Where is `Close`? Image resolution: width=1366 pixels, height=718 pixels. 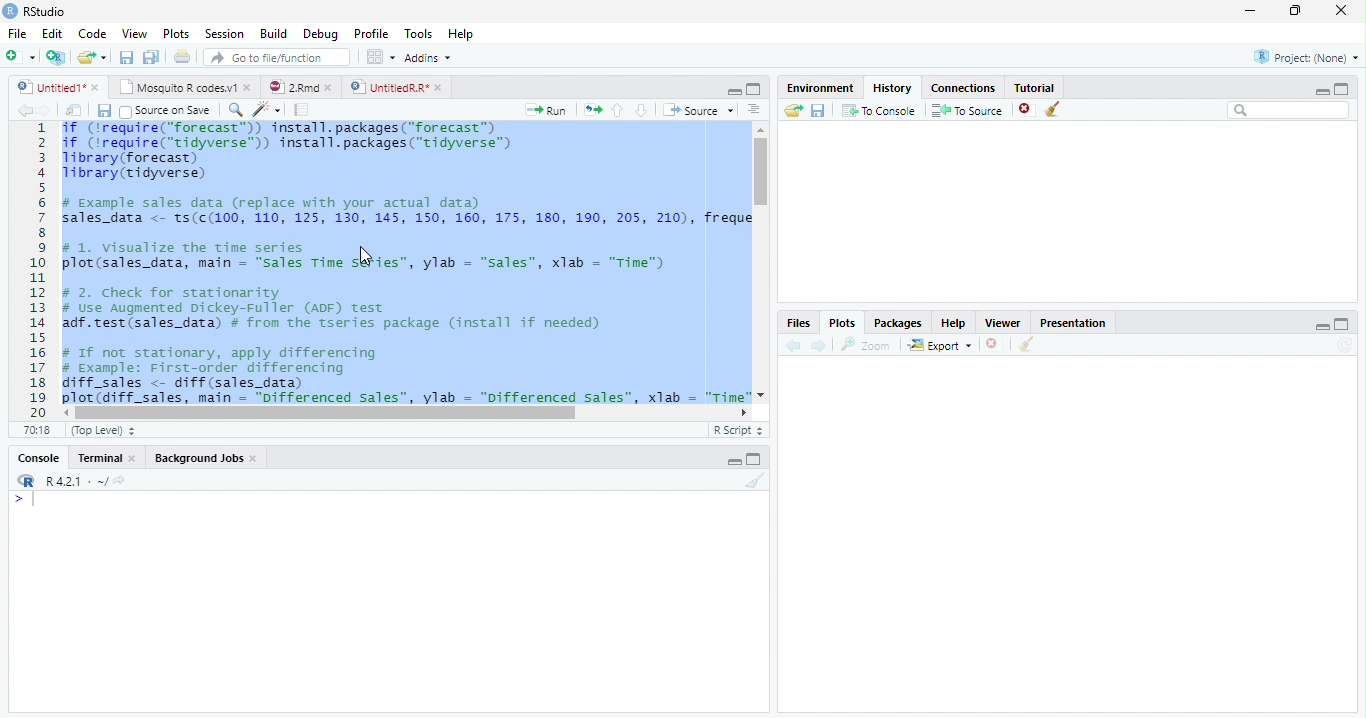 Close is located at coordinates (1343, 11).